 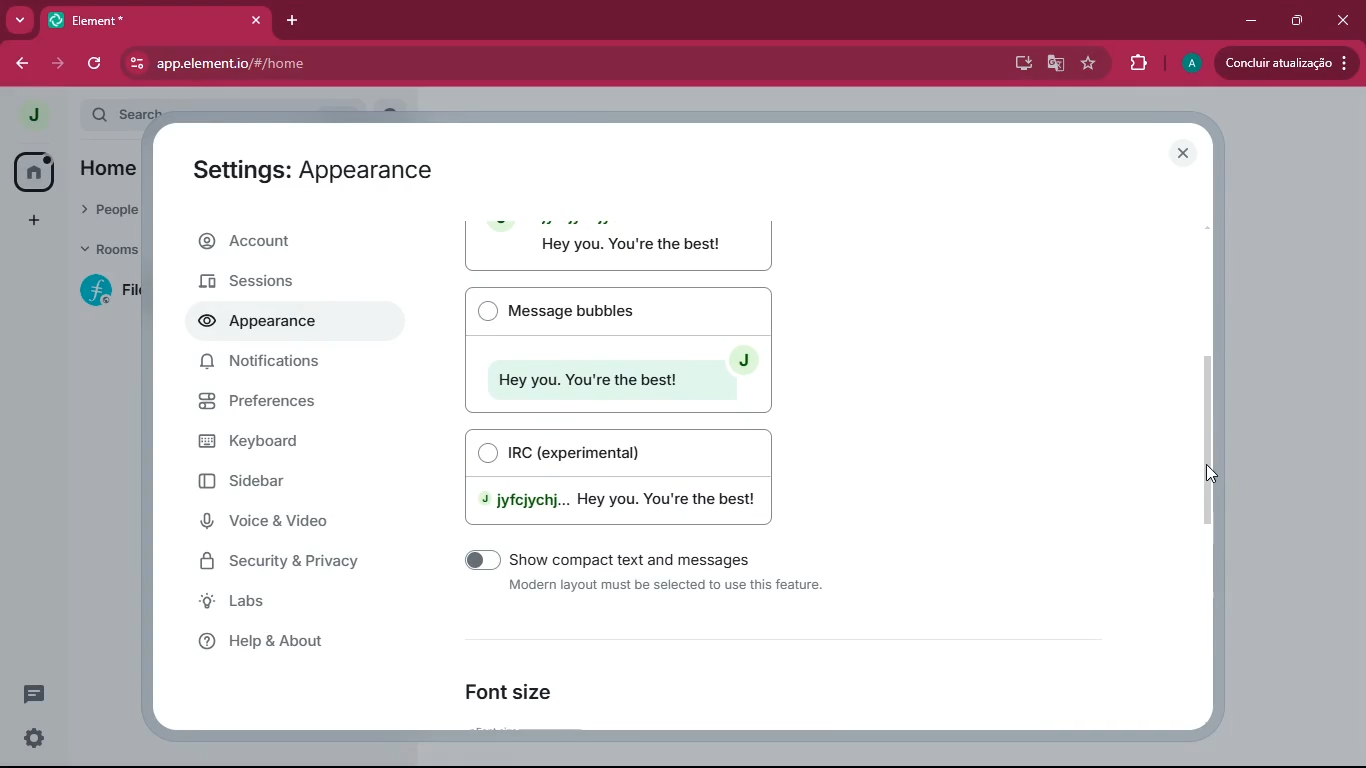 I want to click on close, so click(x=1180, y=151).